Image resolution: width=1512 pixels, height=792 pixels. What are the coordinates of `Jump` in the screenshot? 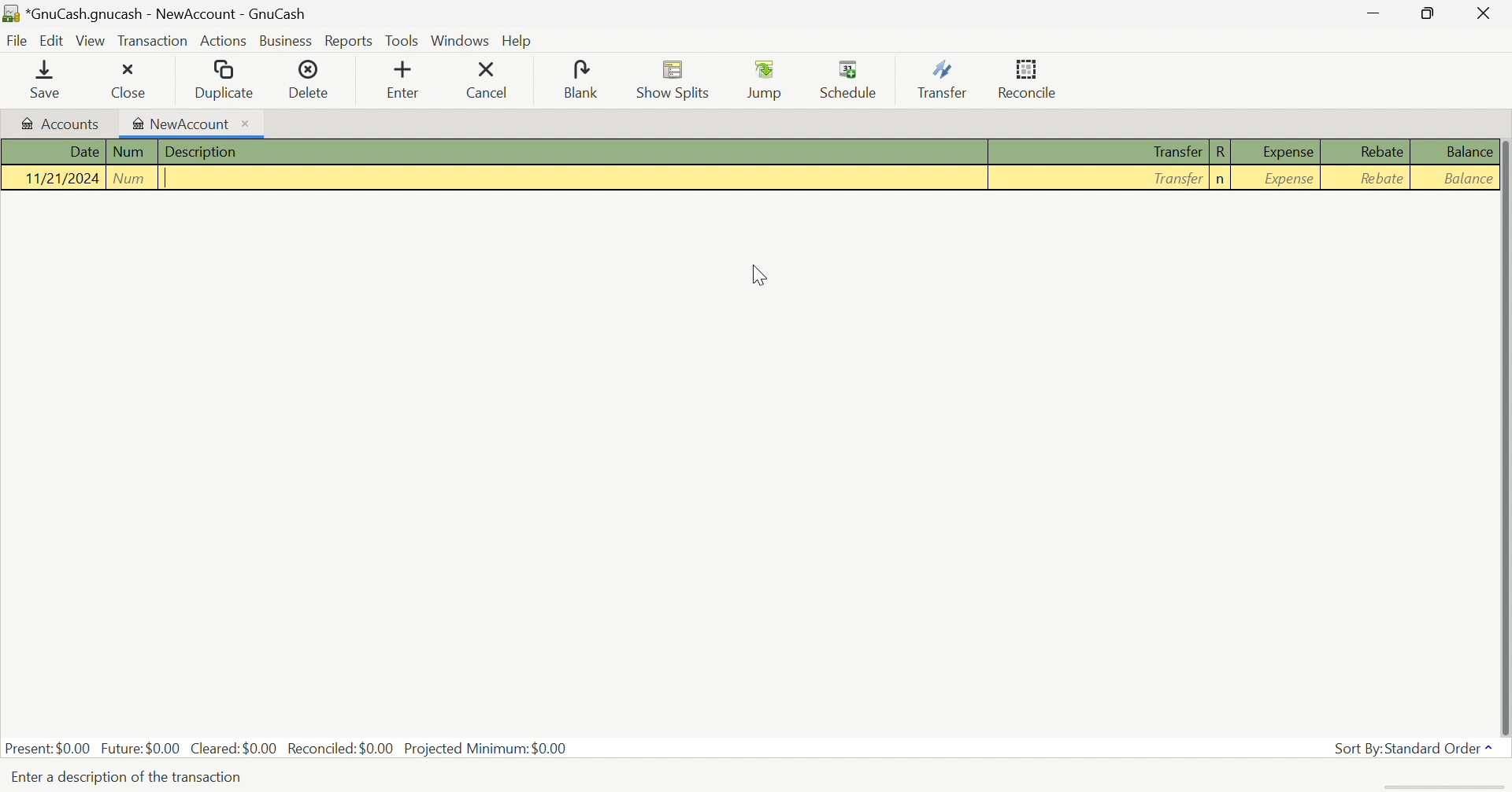 It's located at (767, 81).